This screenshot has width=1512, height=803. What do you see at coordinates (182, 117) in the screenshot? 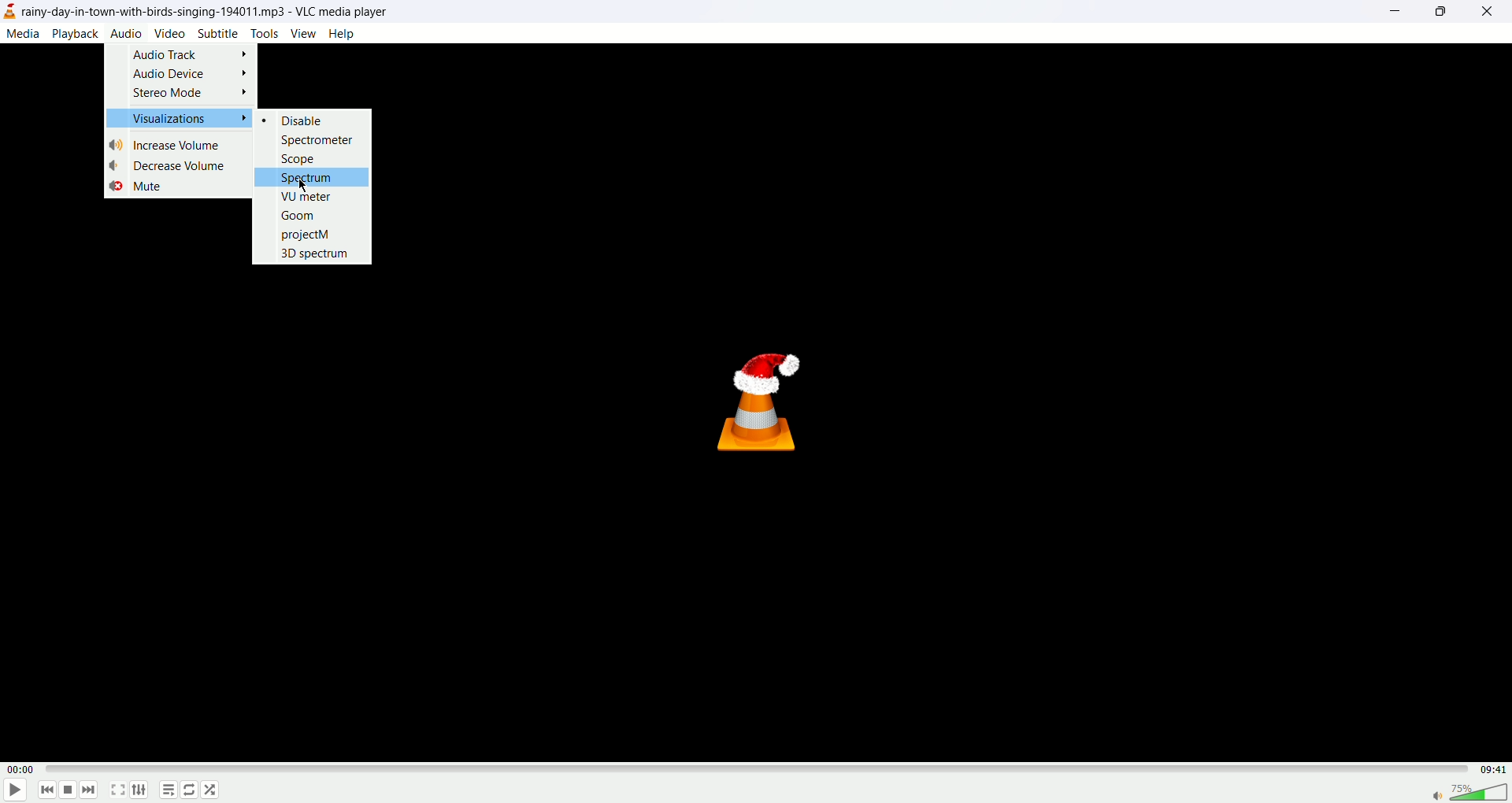
I see `visualization` at bounding box center [182, 117].